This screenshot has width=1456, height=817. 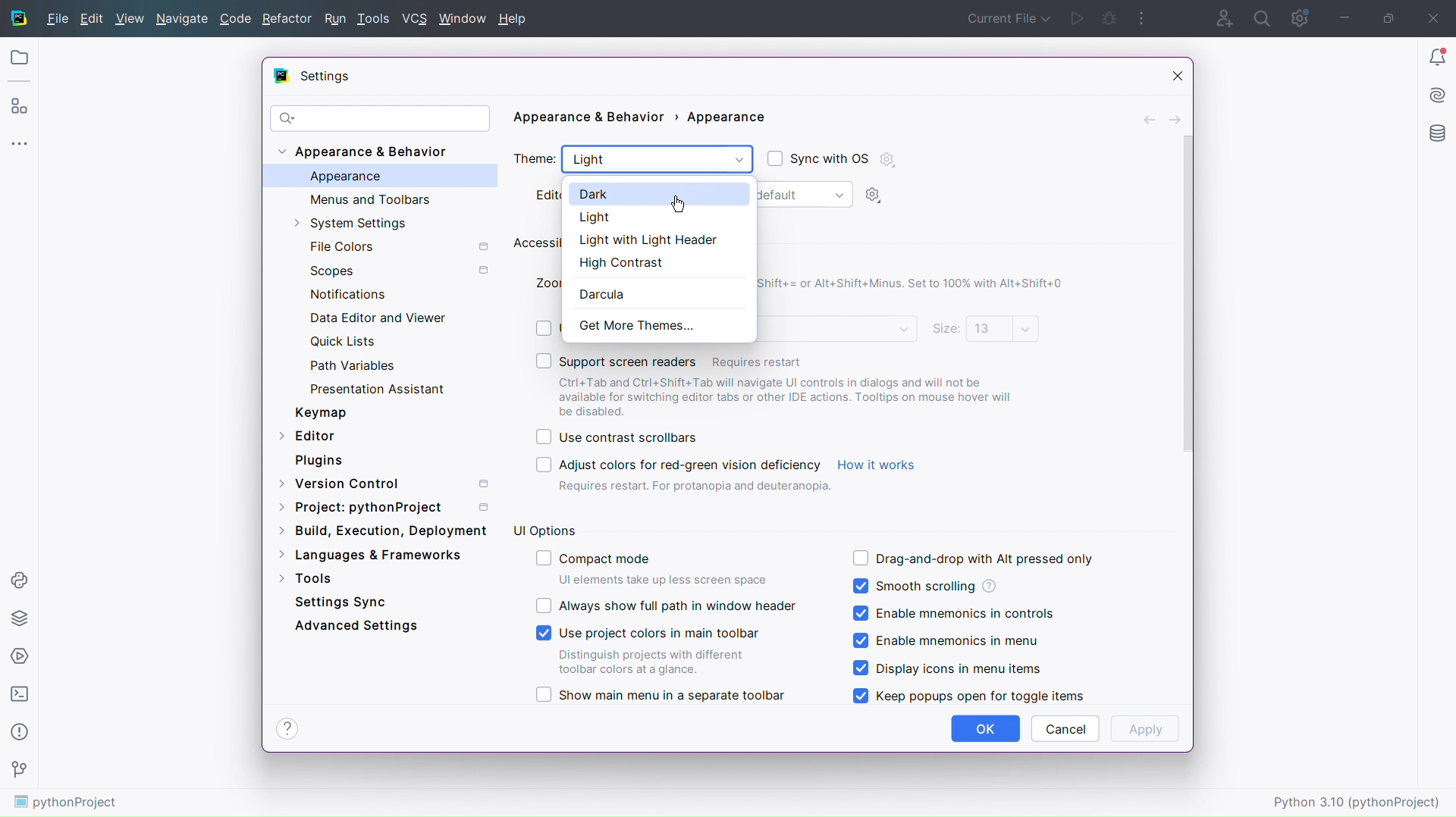 I want to click on size, so click(x=985, y=330).